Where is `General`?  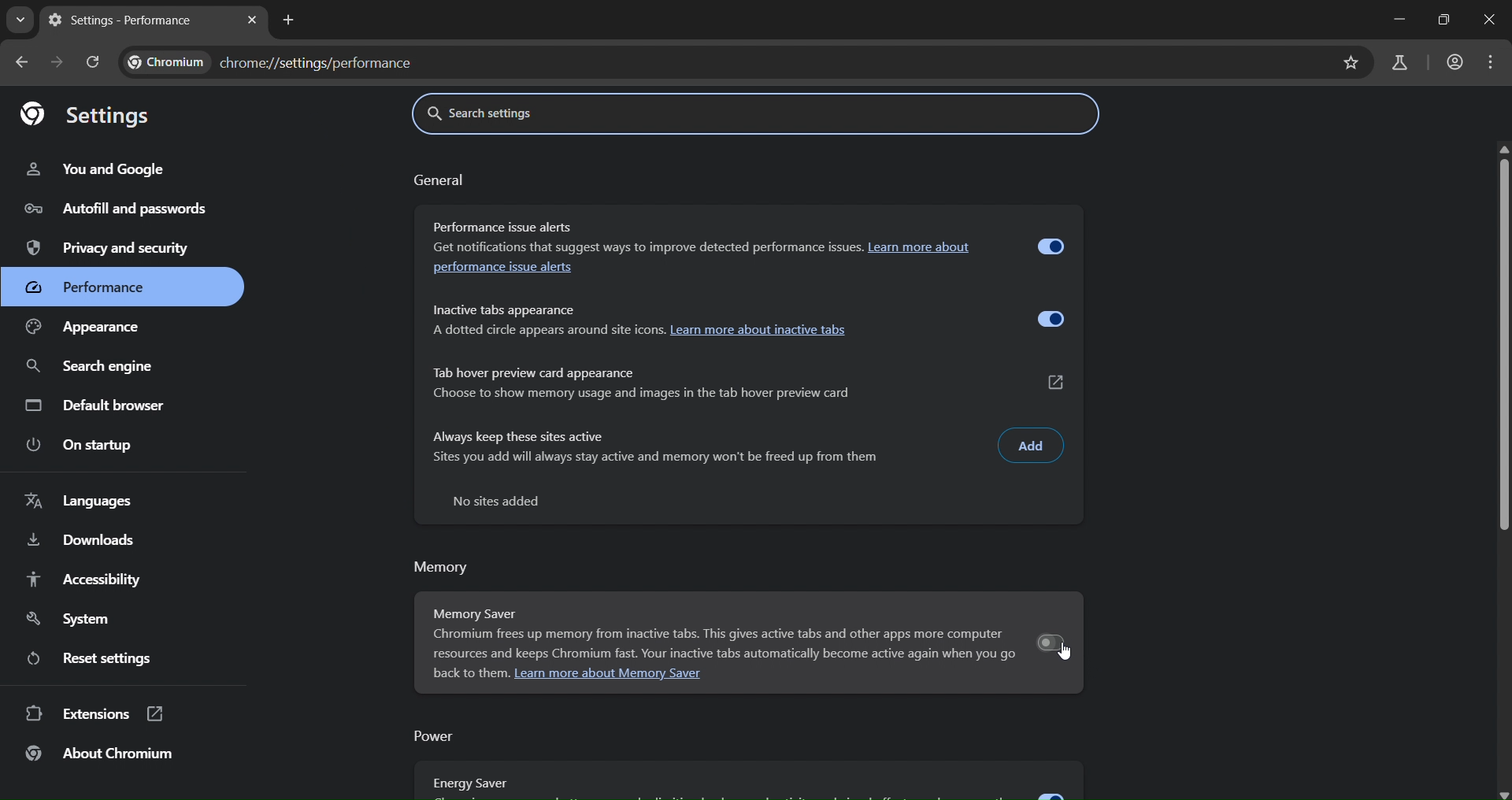
General is located at coordinates (439, 183).